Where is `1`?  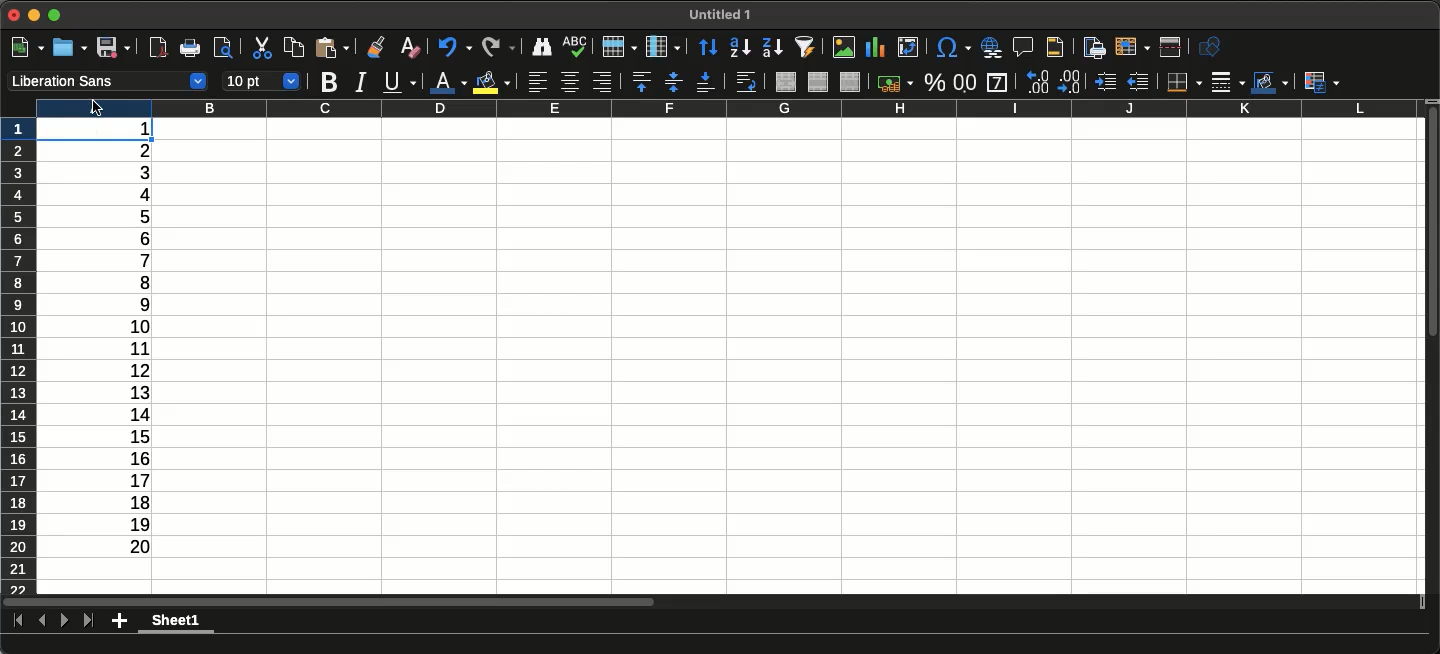
1 is located at coordinates (136, 131).